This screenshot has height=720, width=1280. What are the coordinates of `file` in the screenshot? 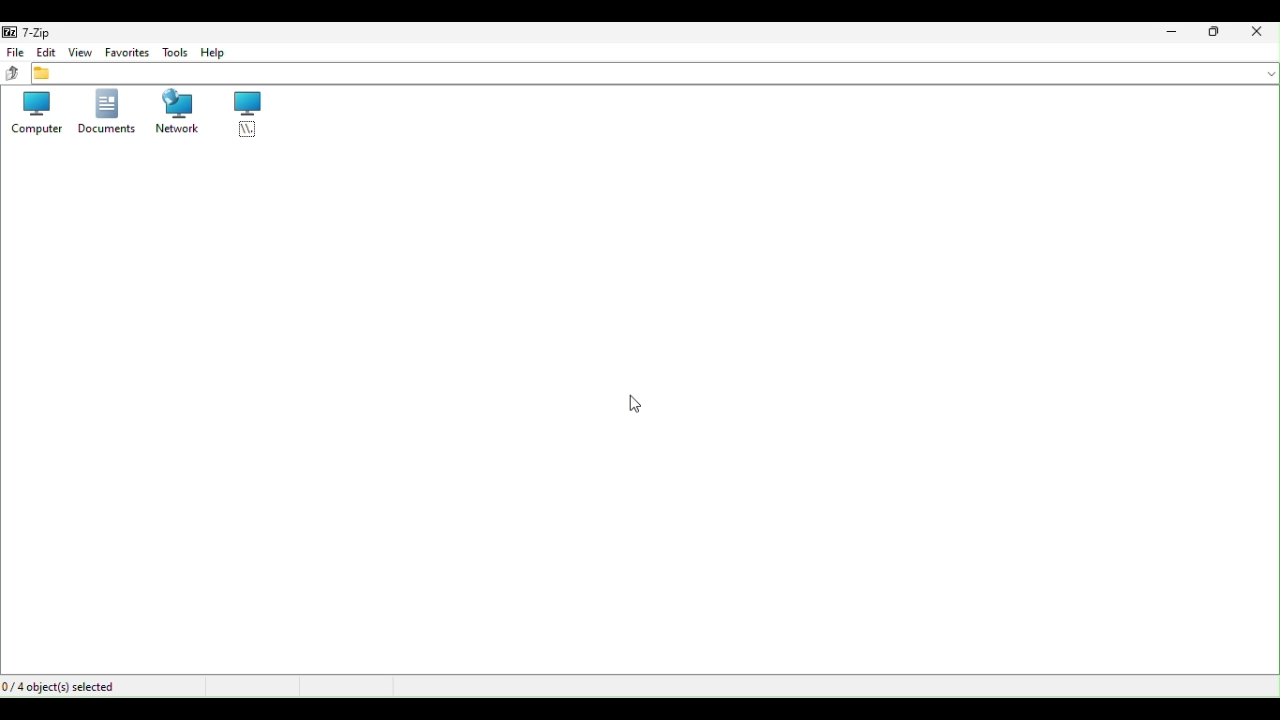 It's located at (15, 52).